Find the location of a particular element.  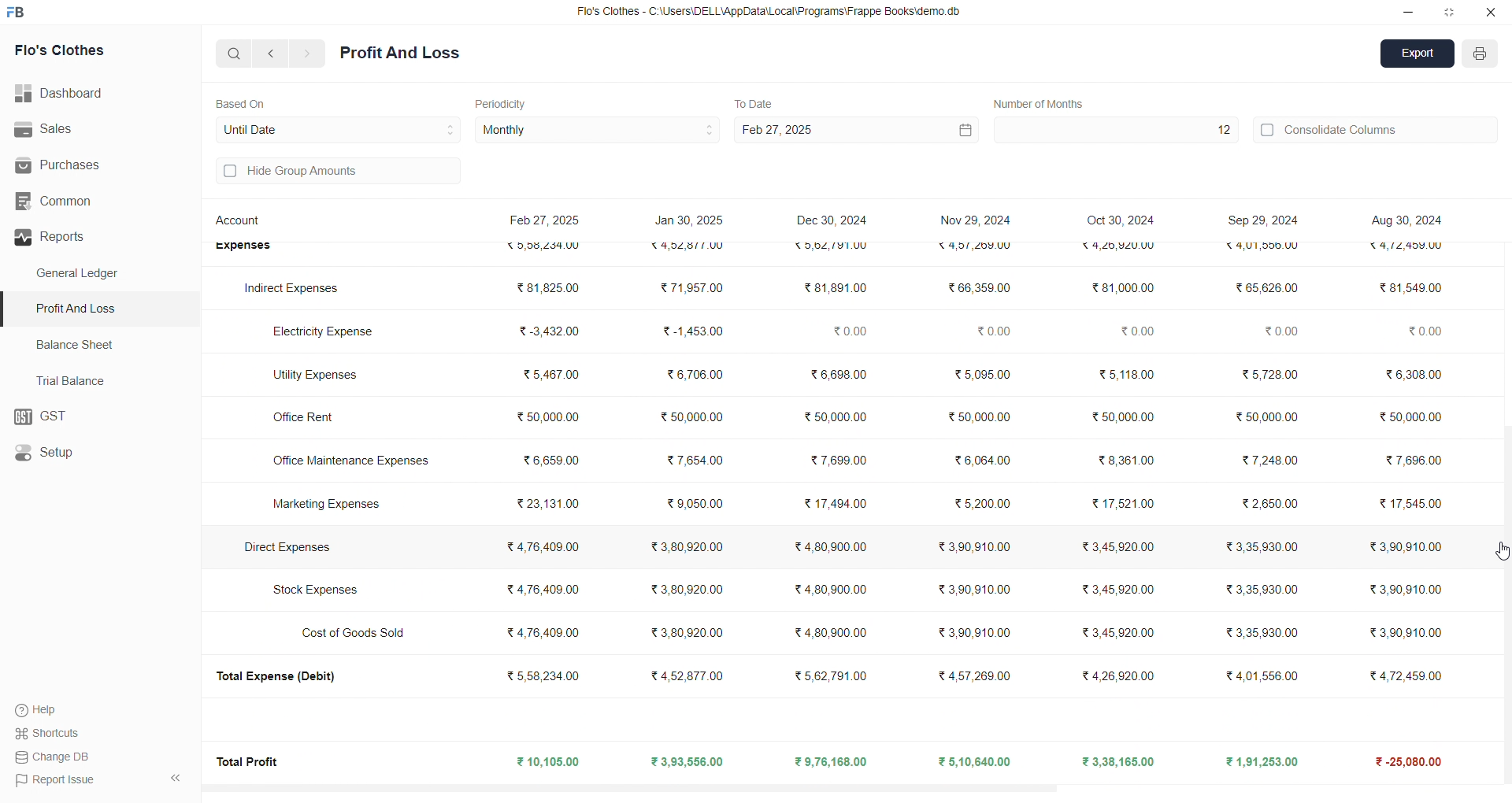

₹5,095.00 is located at coordinates (982, 373).